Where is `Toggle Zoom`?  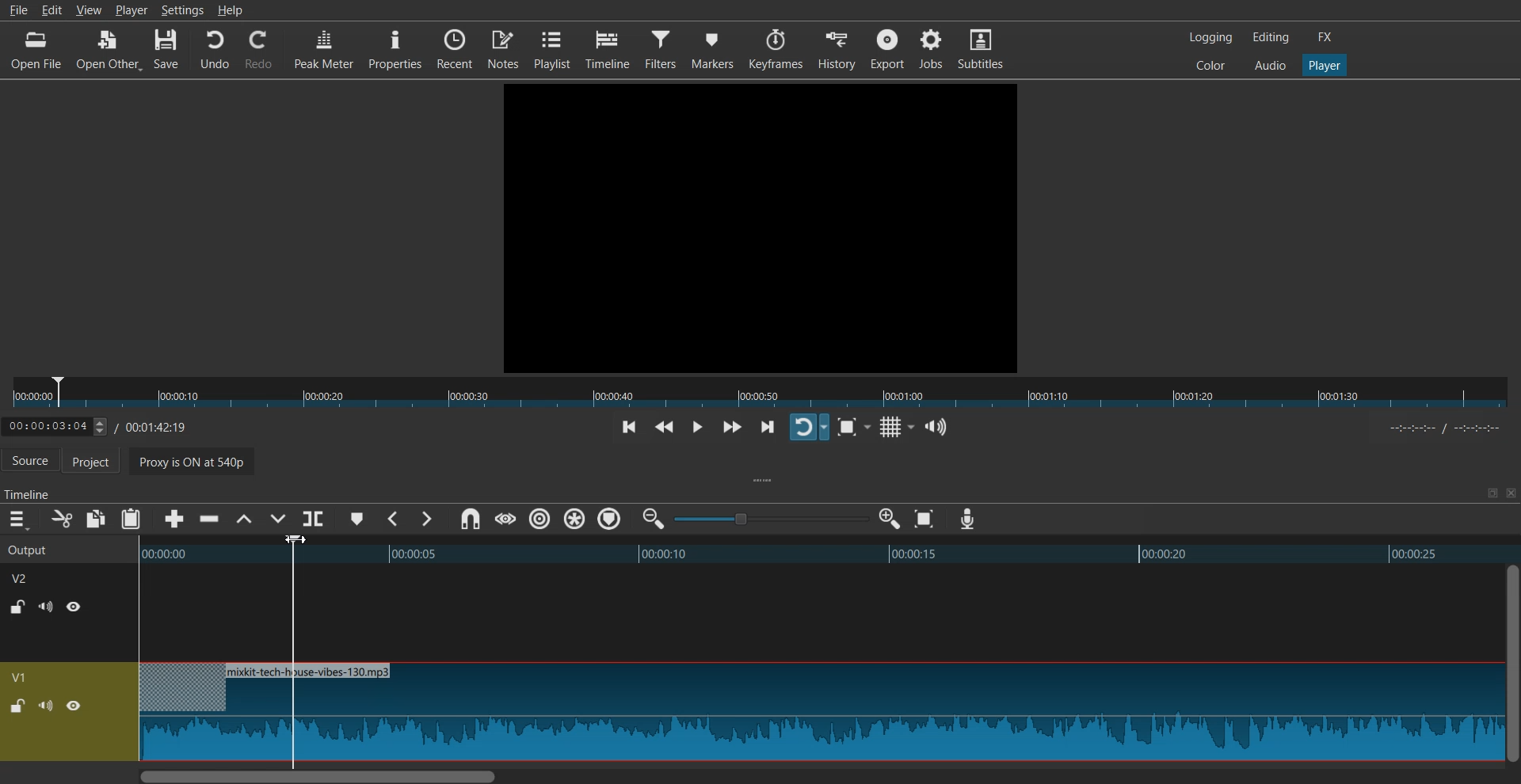
Toggle Zoom is located at coordinates (849, 428).